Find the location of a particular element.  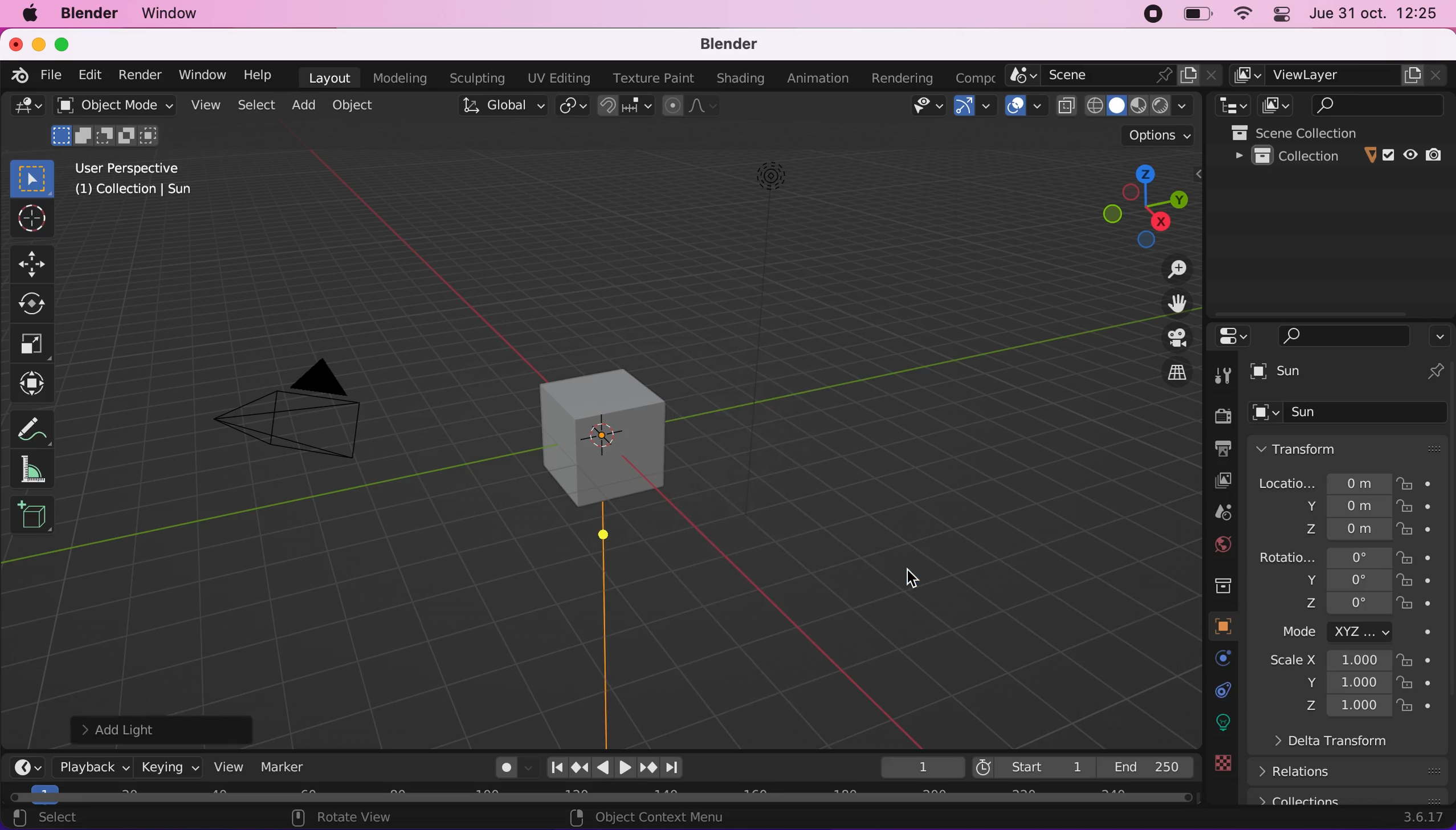

Start 1 is located at coordinates (1032, 765).